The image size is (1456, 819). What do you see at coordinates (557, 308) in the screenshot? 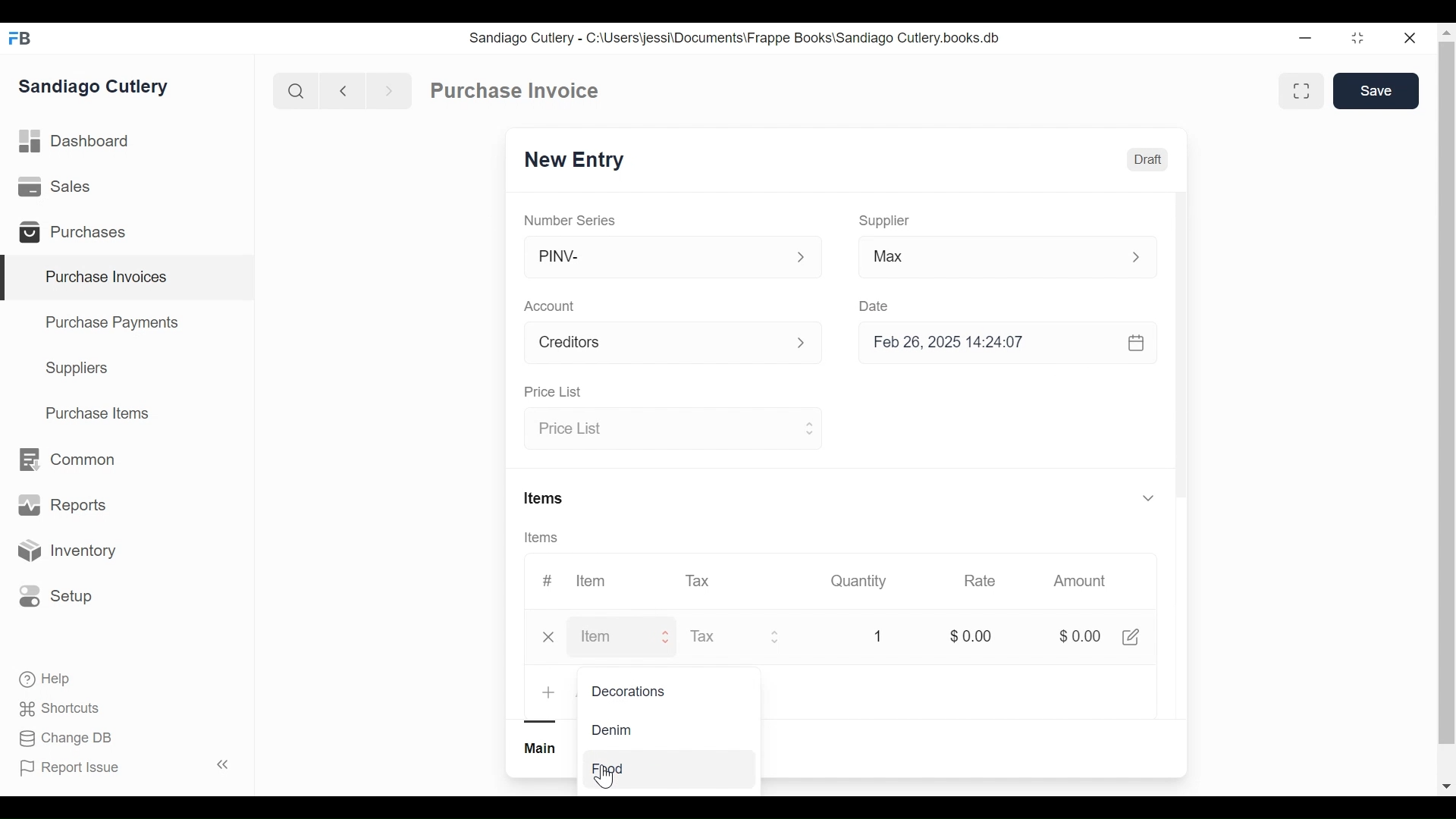
I see `Account` at bounding box center [557, 308].